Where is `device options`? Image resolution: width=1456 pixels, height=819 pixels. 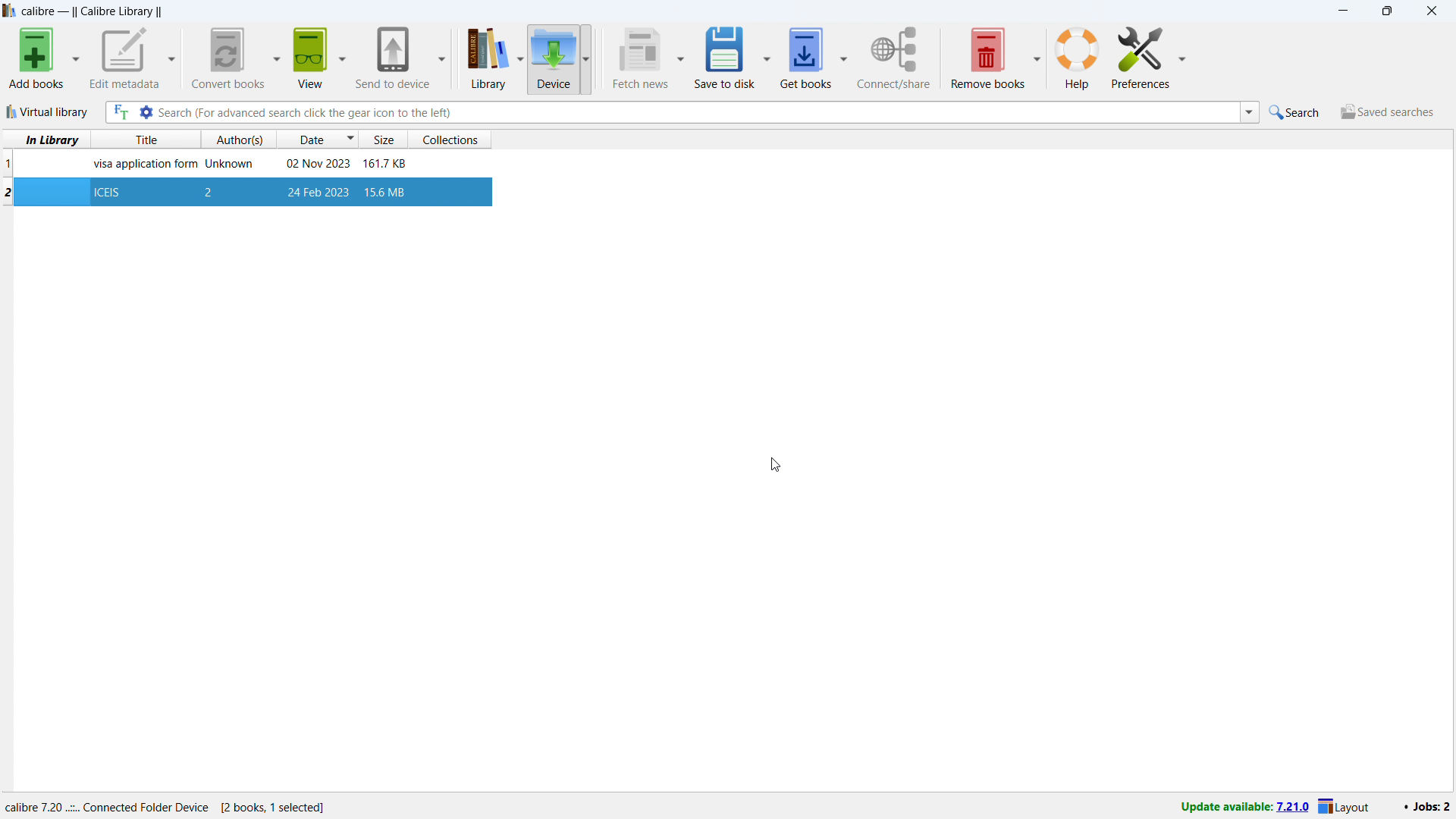
device options is located at coordinates (584, 58).